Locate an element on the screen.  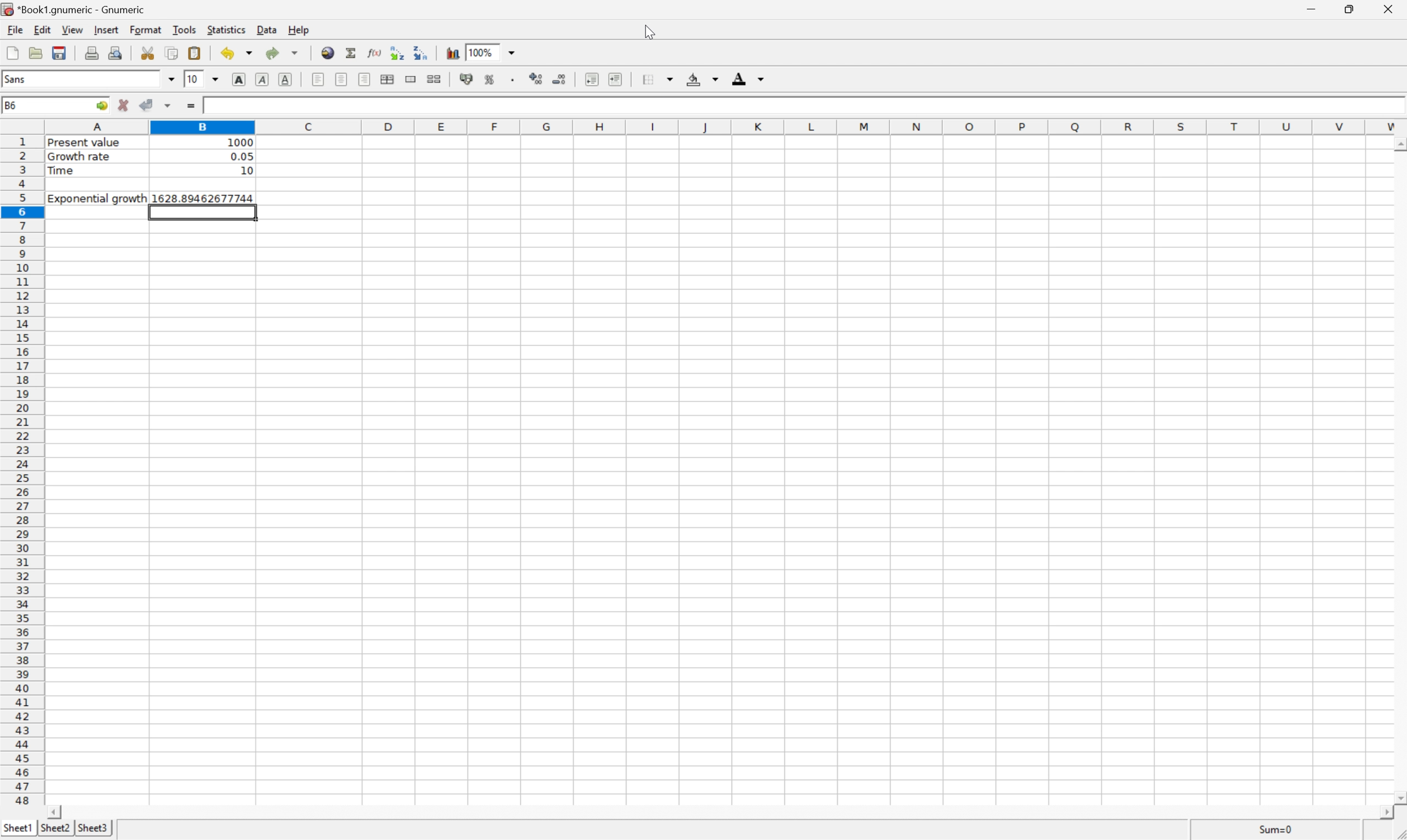
Sheet3 is located at coordinates (94, 828).